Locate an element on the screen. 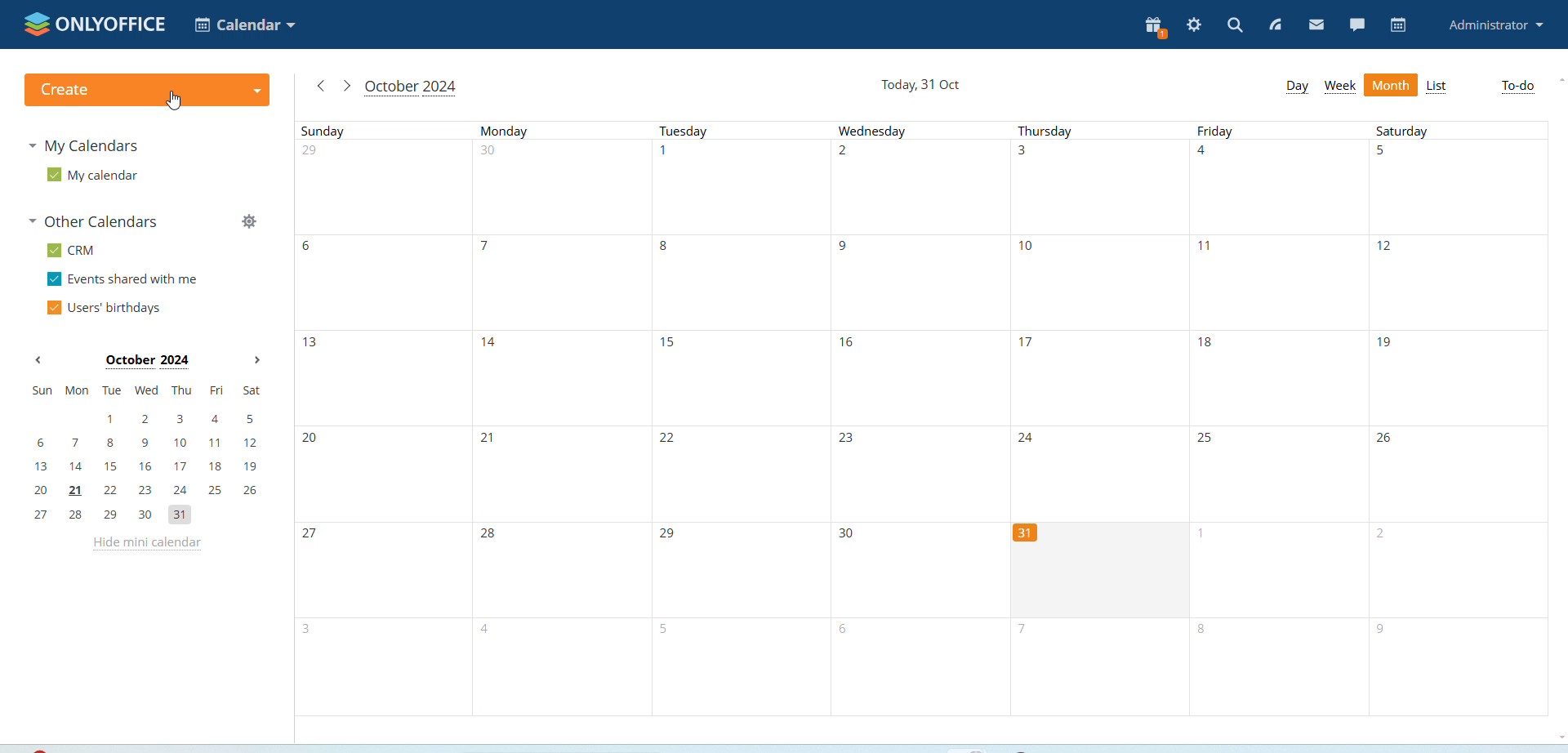  hide mini calendar is located at coordinates (146, 545).